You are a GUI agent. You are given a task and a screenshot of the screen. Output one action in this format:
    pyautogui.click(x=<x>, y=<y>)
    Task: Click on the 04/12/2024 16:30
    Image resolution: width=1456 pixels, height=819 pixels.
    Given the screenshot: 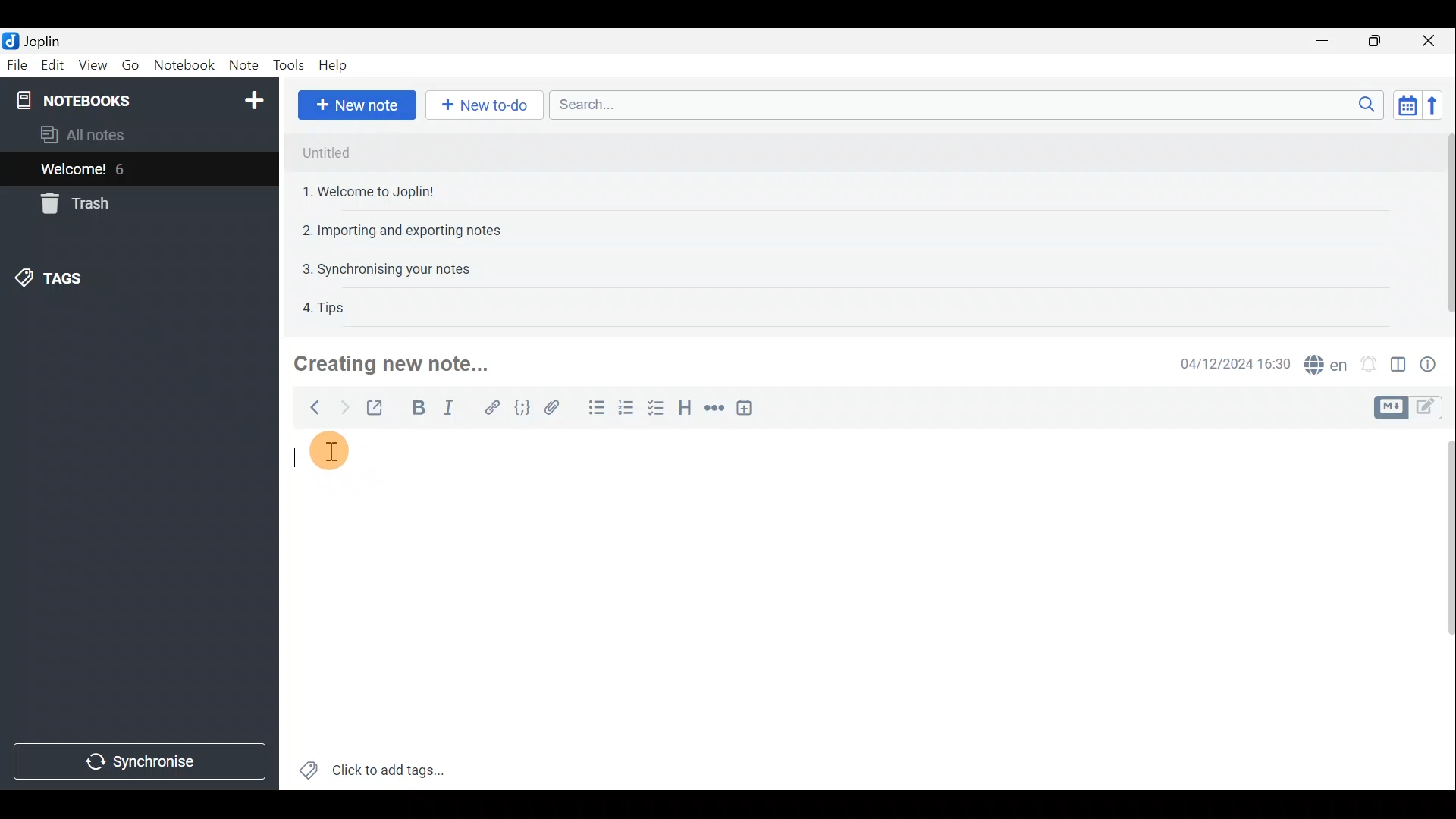 What is the action you would take?
    pyautogui.click(x=1228, y=362)
    